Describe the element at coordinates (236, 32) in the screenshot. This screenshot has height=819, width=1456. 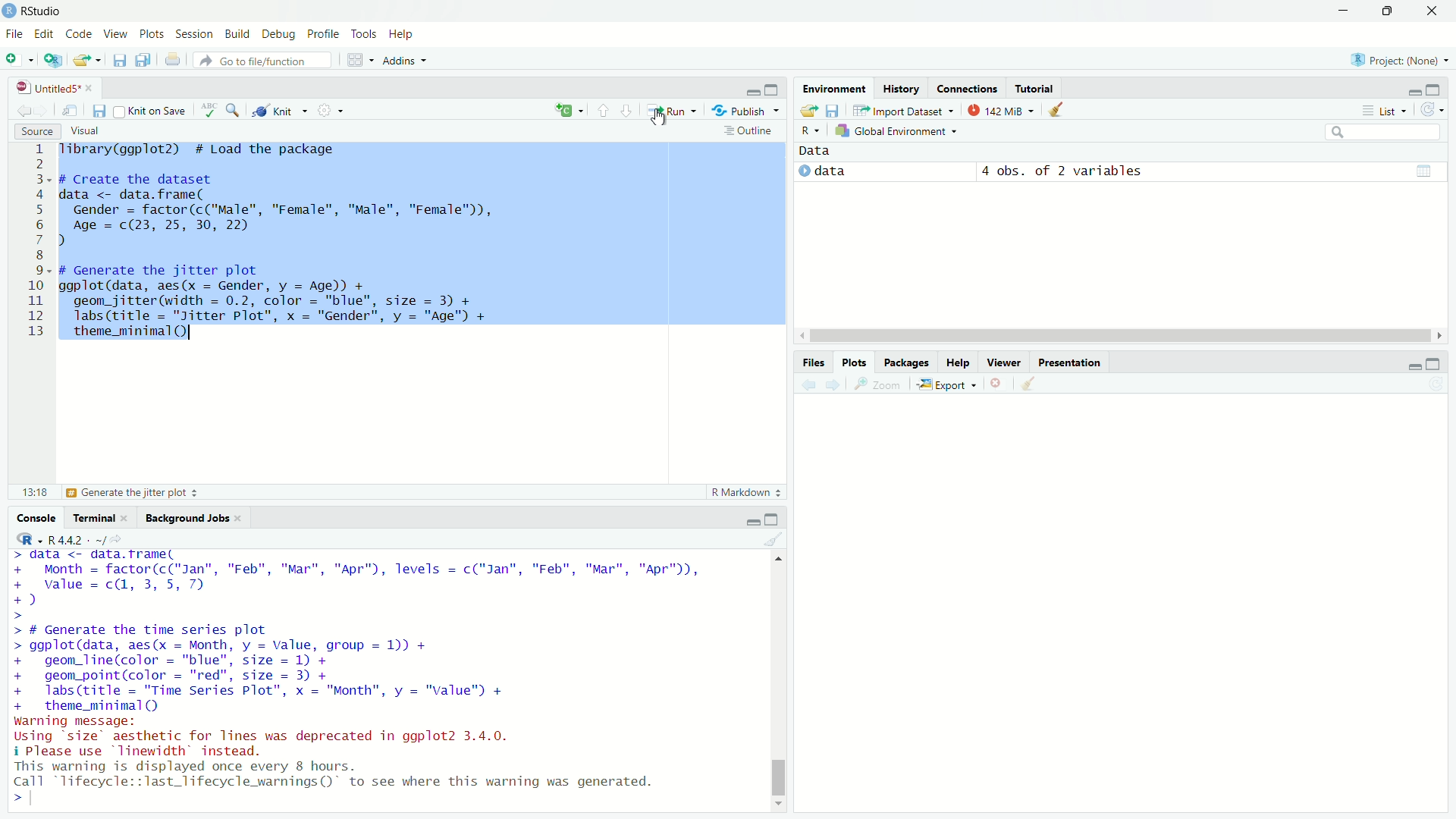
I see `build` at that location.